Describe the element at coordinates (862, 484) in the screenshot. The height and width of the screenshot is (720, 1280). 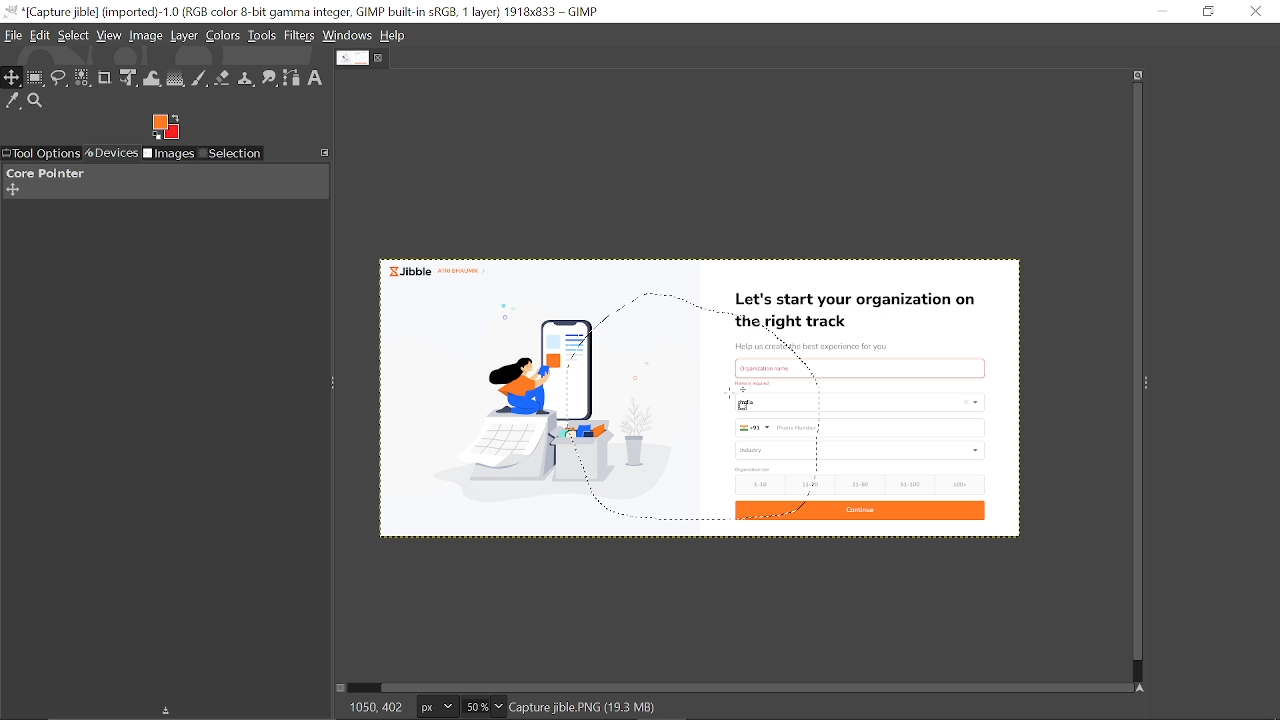
I see `21-50` at that location.